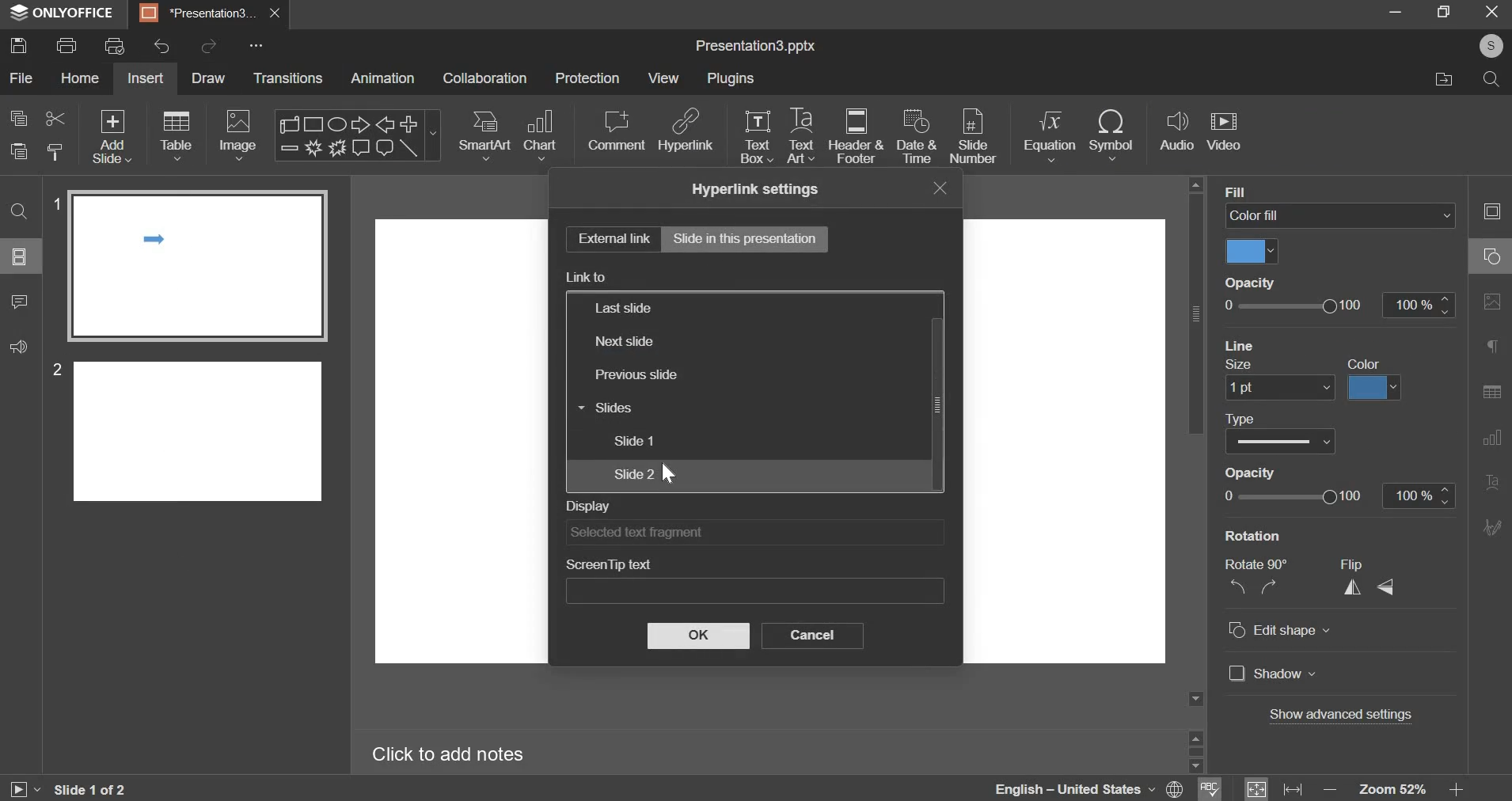  I want to click on play, so click(24, 790).